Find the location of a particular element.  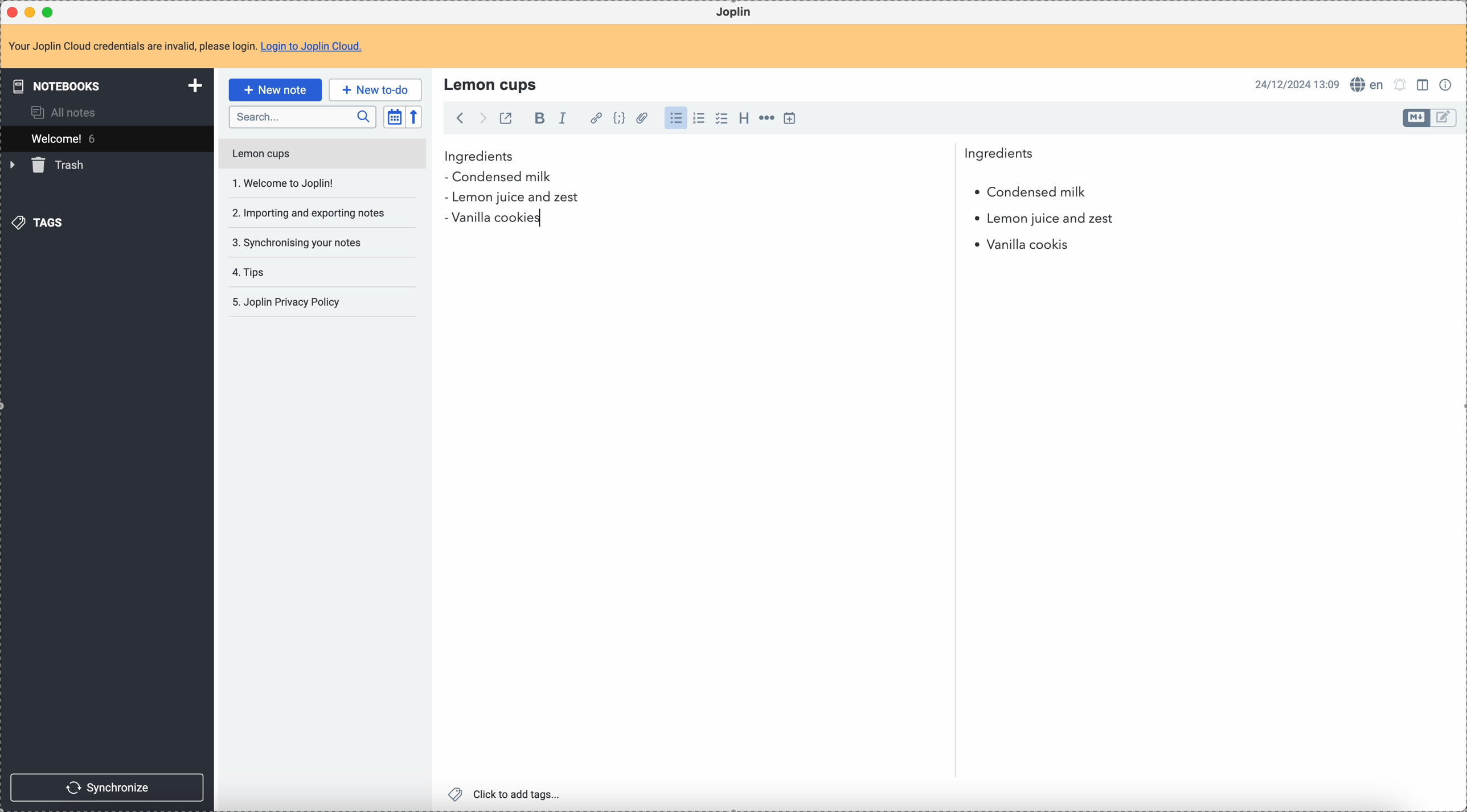

date and hour is located at coordinates (1297, 84).